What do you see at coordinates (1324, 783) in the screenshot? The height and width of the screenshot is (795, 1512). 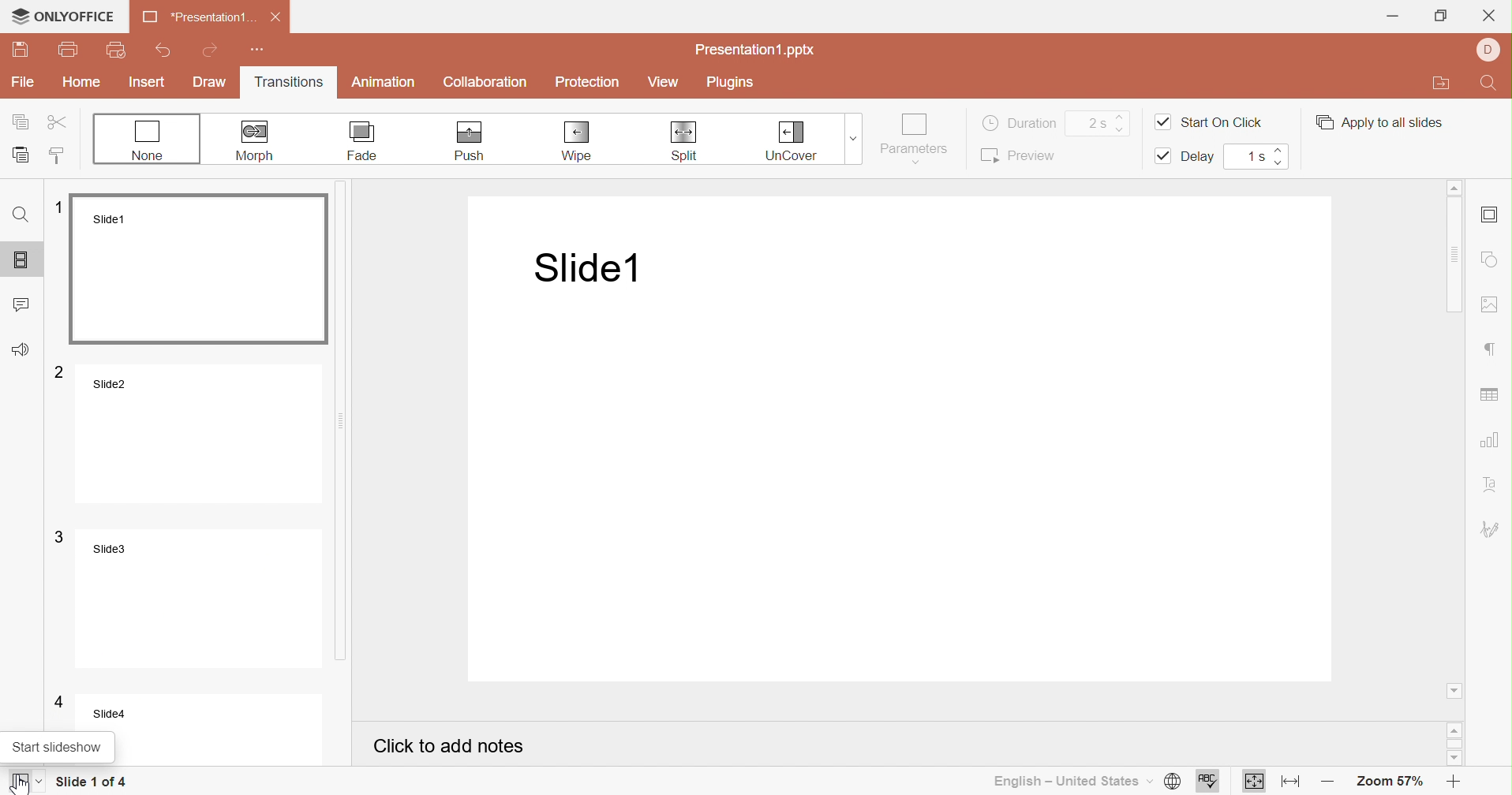 I see `Zoom out` at bounding box center [1324, 783].